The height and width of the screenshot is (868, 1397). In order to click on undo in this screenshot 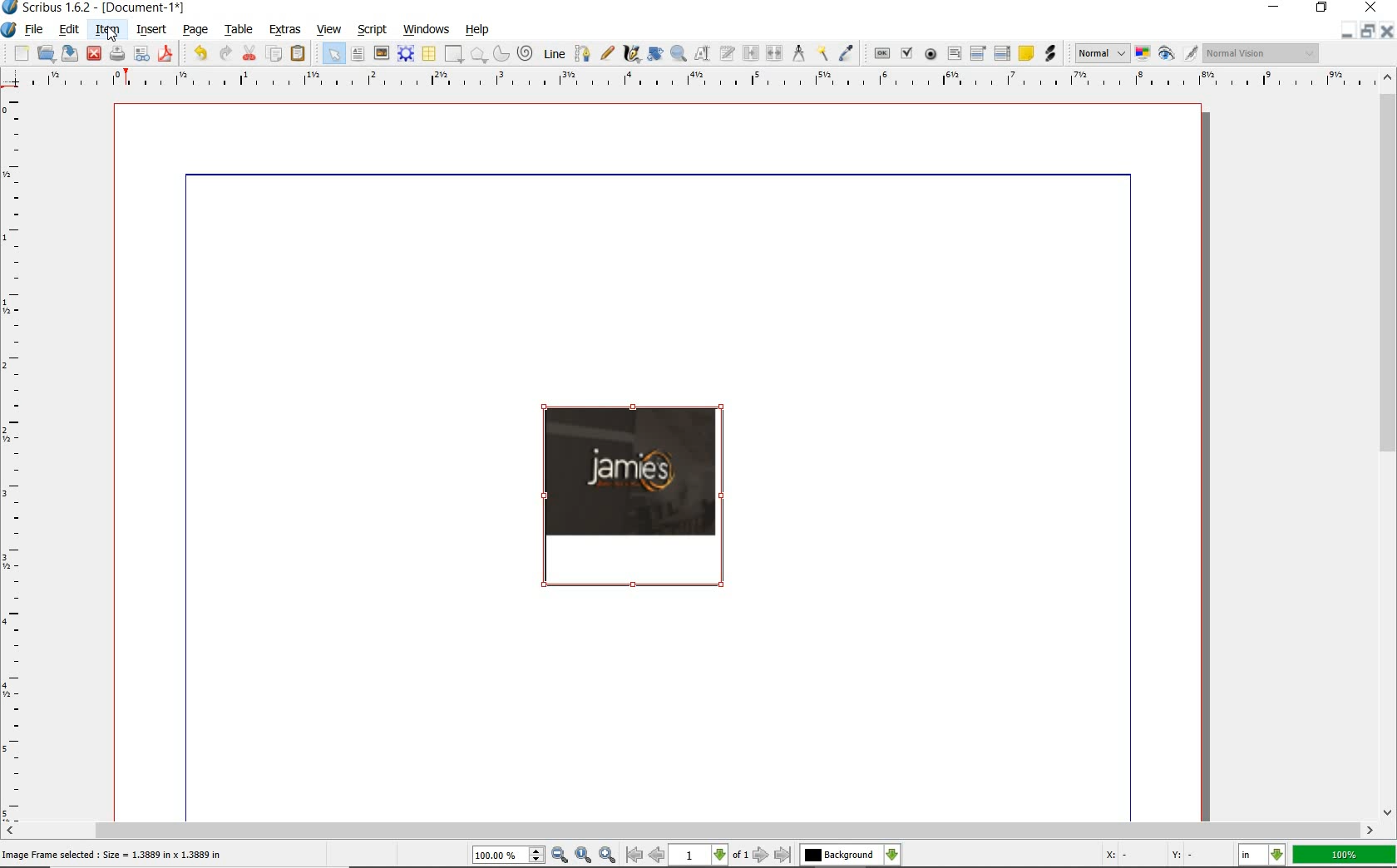, I will do `click(200, 52)`.